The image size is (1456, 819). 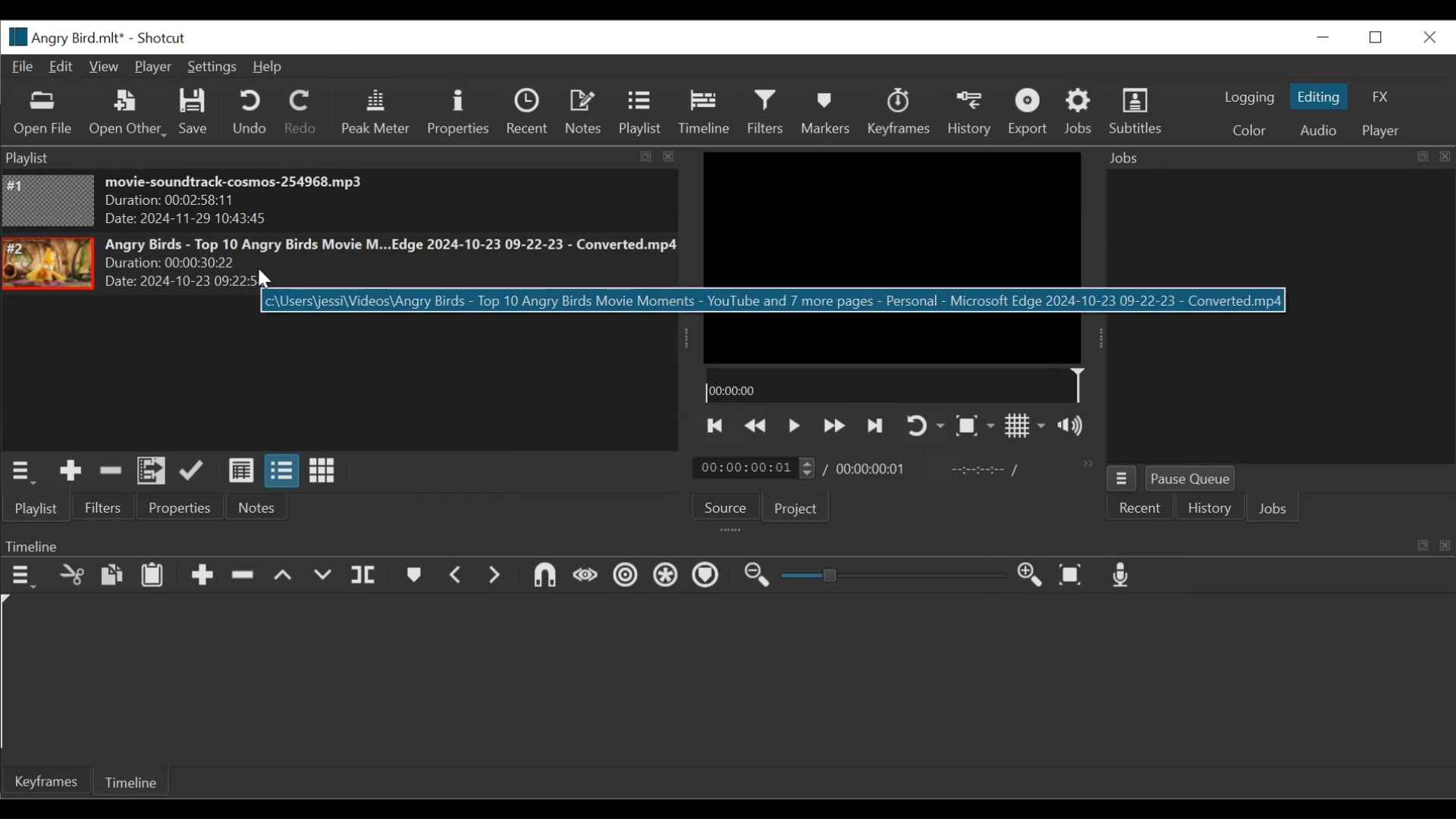 What do you see at coordinates (71, 576) in the screenshot?
I see `Cut` at bounding box center [71, 576].